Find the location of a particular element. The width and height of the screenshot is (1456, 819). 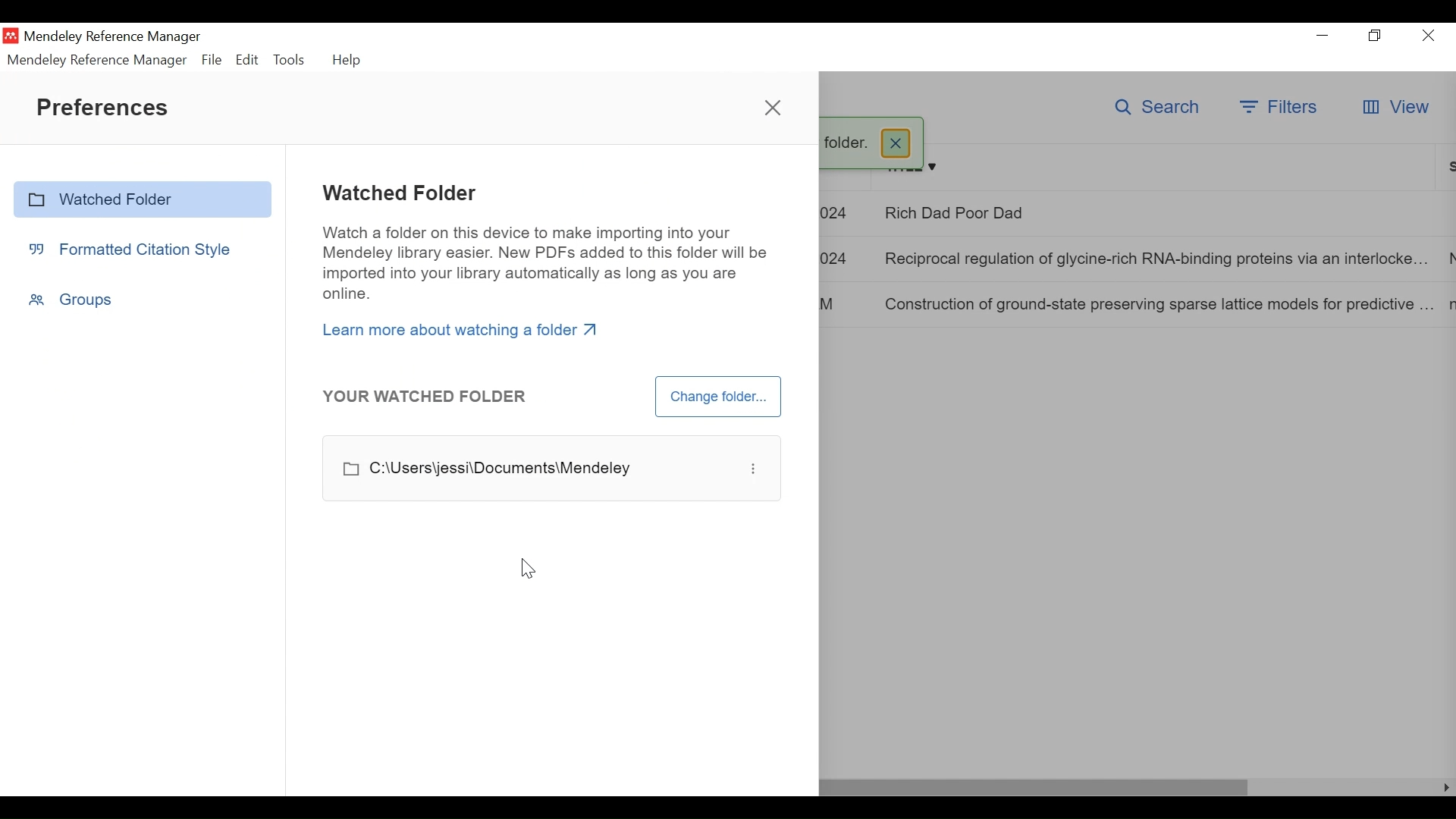

Close is located at coordinates (772, 107).